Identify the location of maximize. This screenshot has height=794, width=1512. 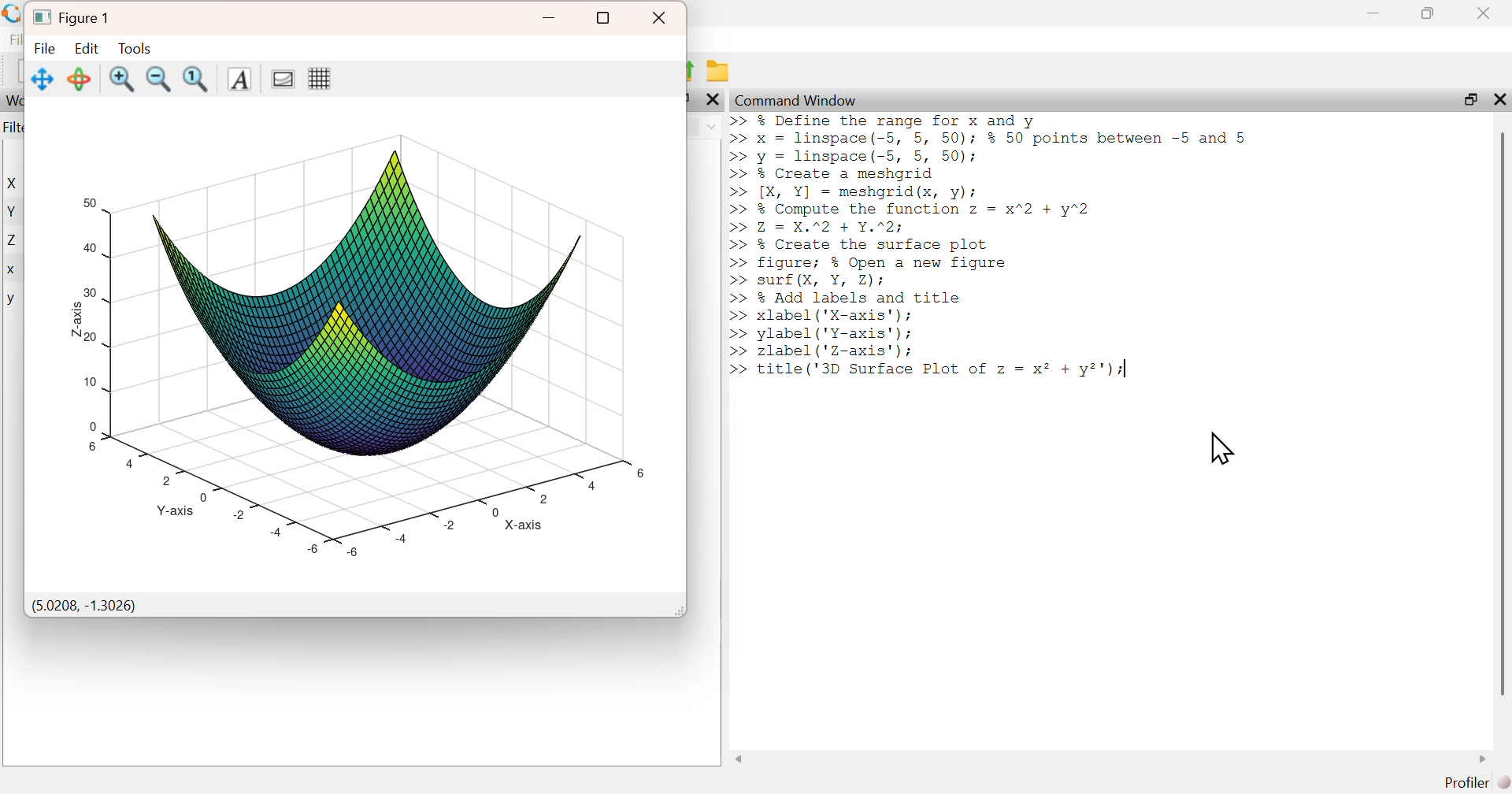
(1429, 13).